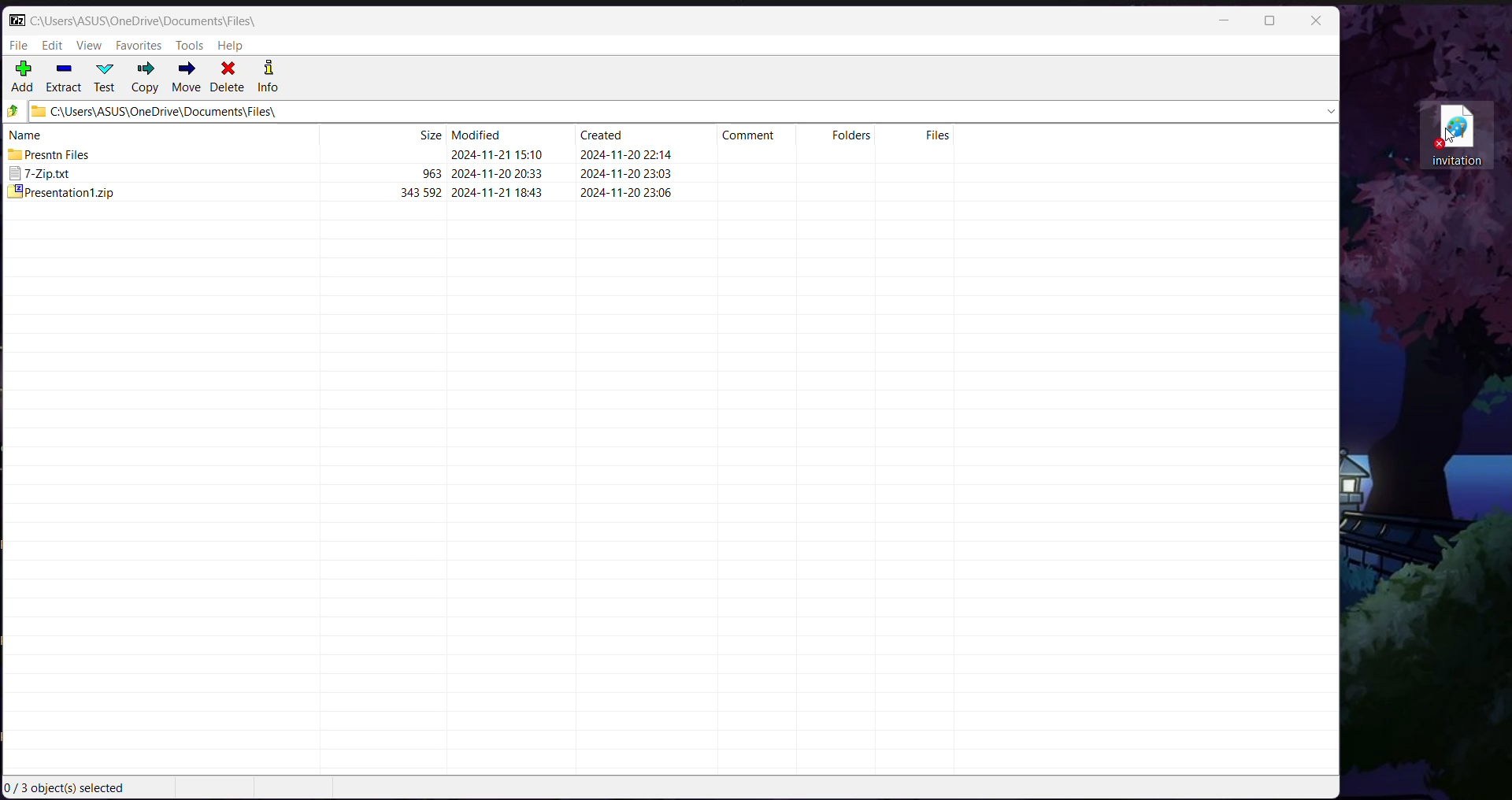 The height and width of the screenshot is (800, 1512). Describe the element at coordinates (229, 78) in the screenshot. I see `Delete` at that location.